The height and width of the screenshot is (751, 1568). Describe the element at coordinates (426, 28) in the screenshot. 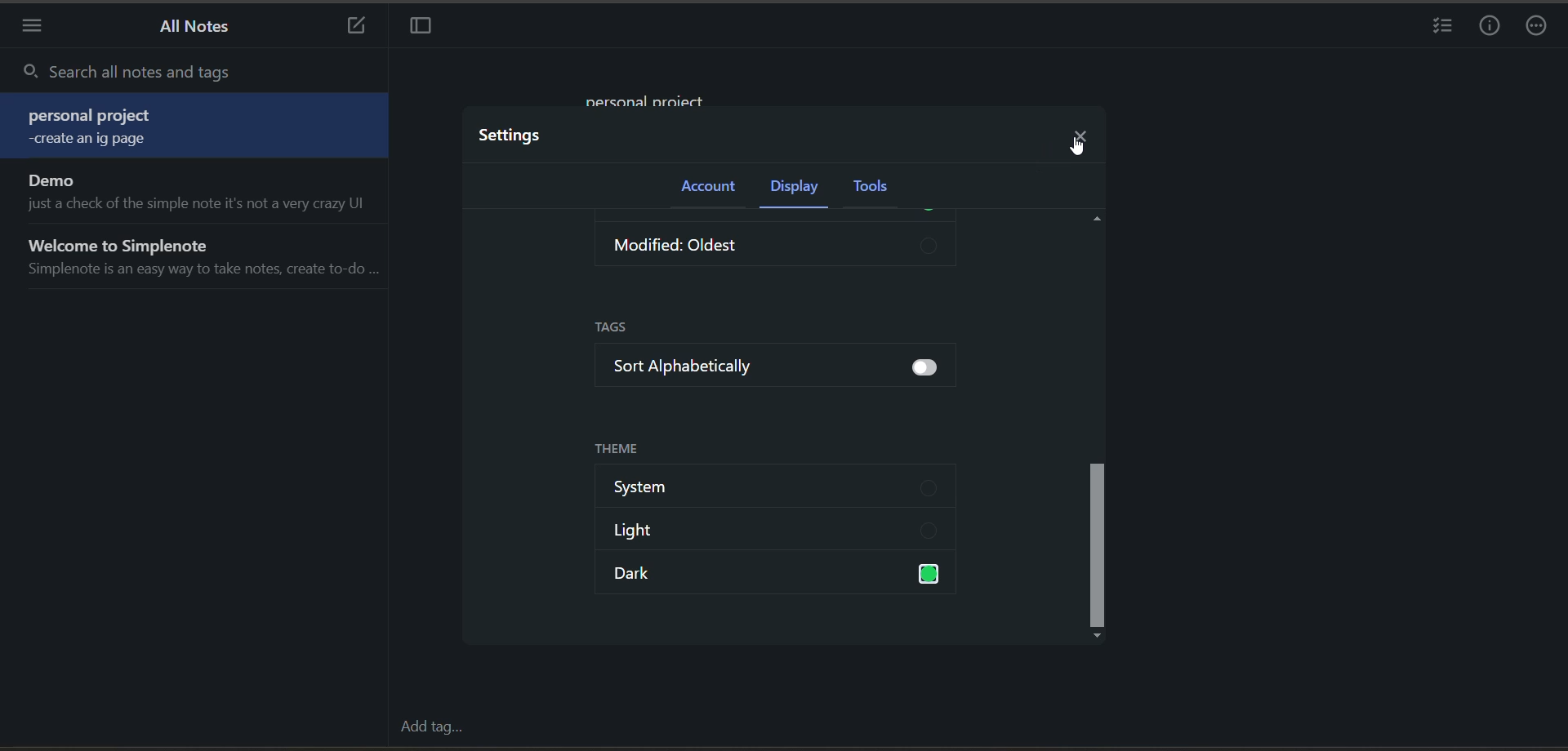

I see `toggle focus mode` at that location.